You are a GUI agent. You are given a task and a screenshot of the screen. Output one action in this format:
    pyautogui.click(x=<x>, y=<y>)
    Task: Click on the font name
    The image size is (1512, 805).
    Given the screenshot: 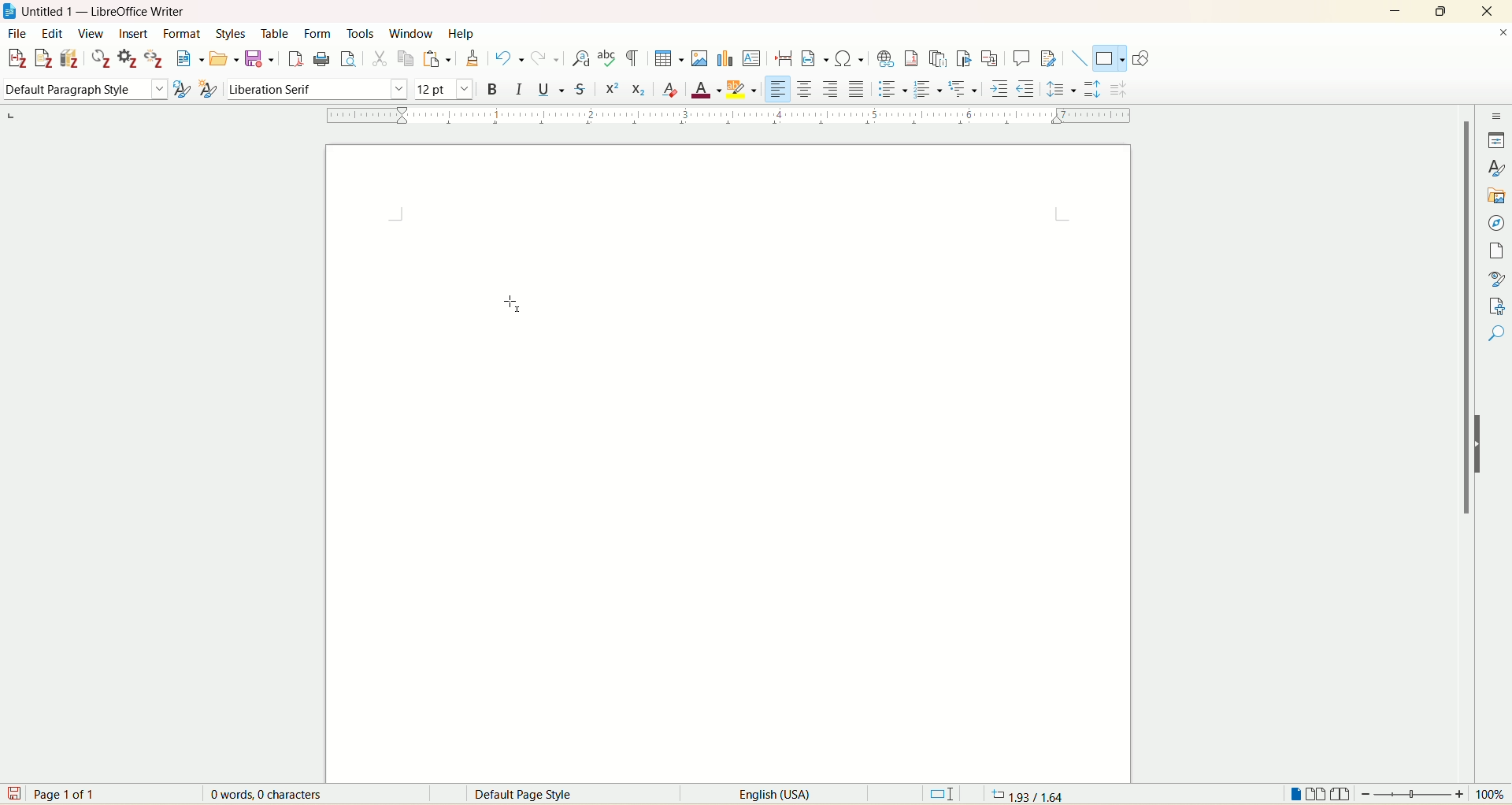 What is the action you would take?
    pyautogui.click(x=315, y=89)
    